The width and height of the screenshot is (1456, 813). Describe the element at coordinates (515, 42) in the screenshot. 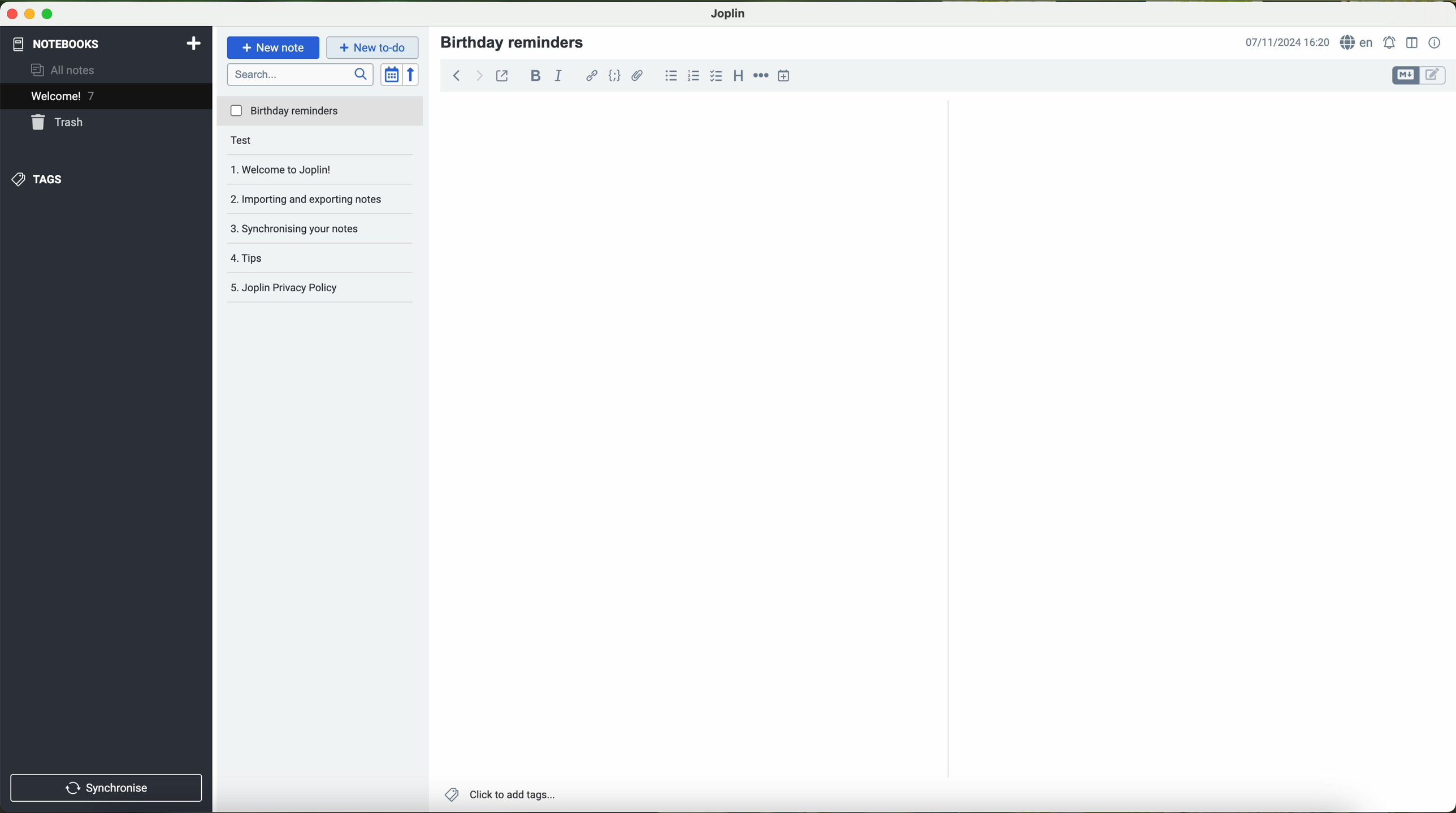

I see `birthday reminders` at that location.